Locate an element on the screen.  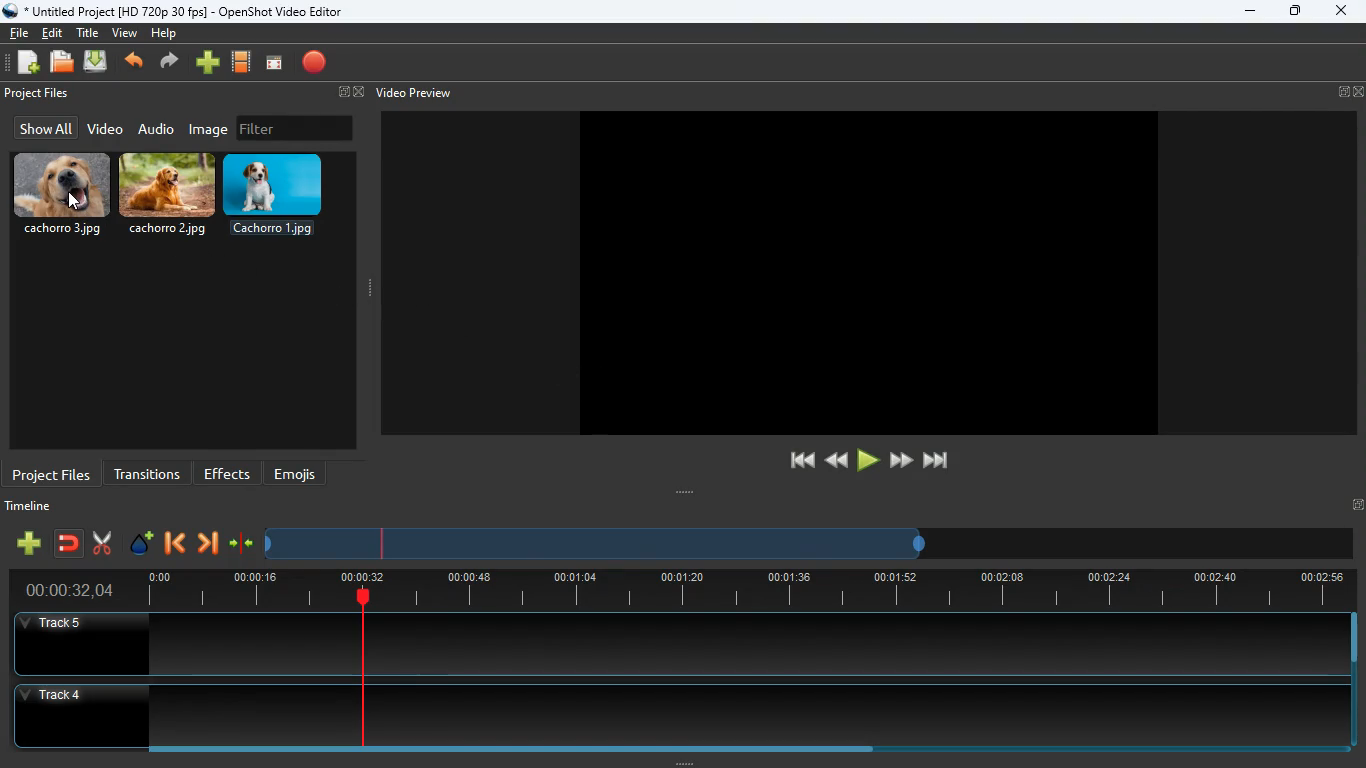
video is located at coordinates (104, 130).